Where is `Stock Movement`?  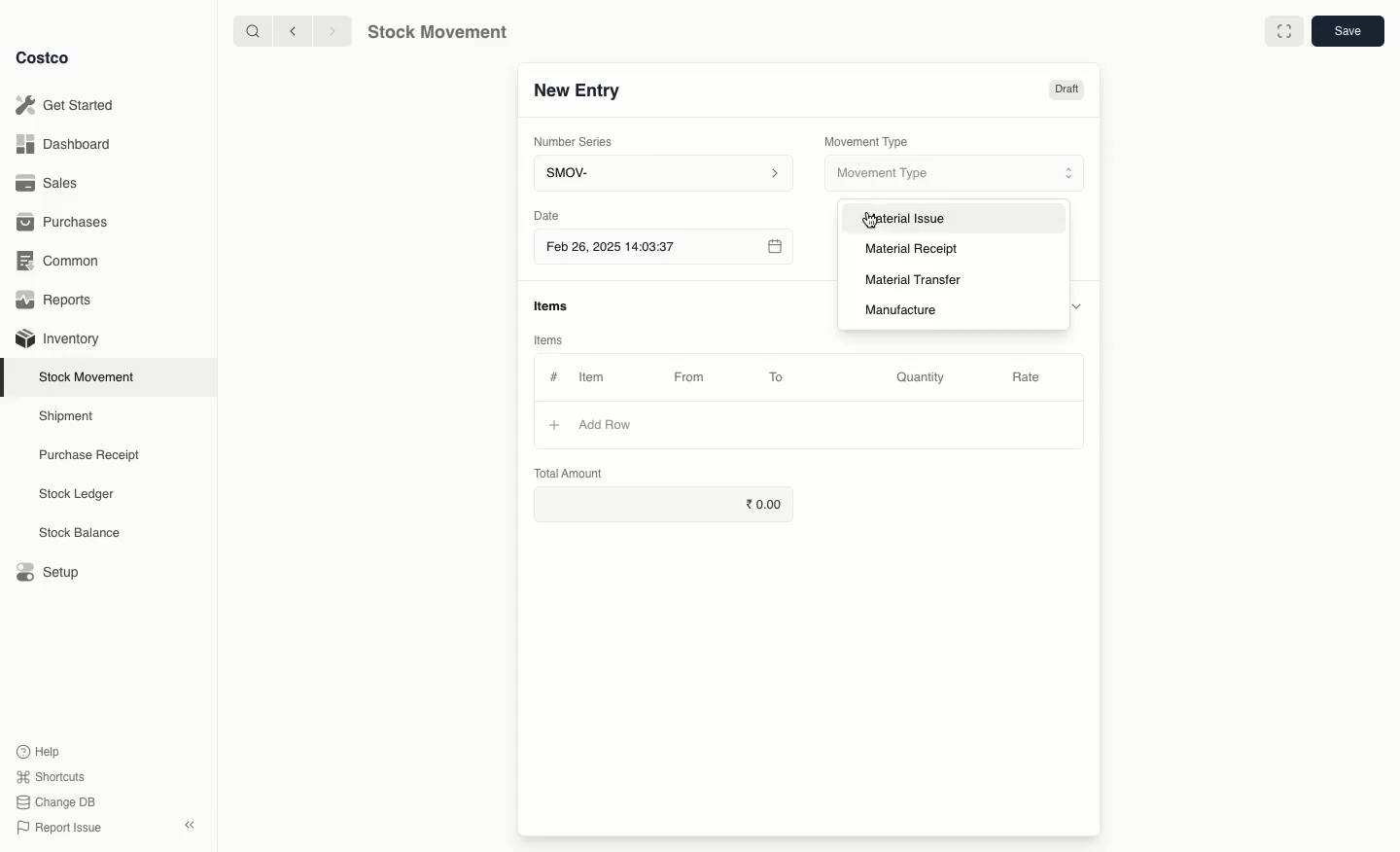 Stock Movement is located at coordinates (434, 32).